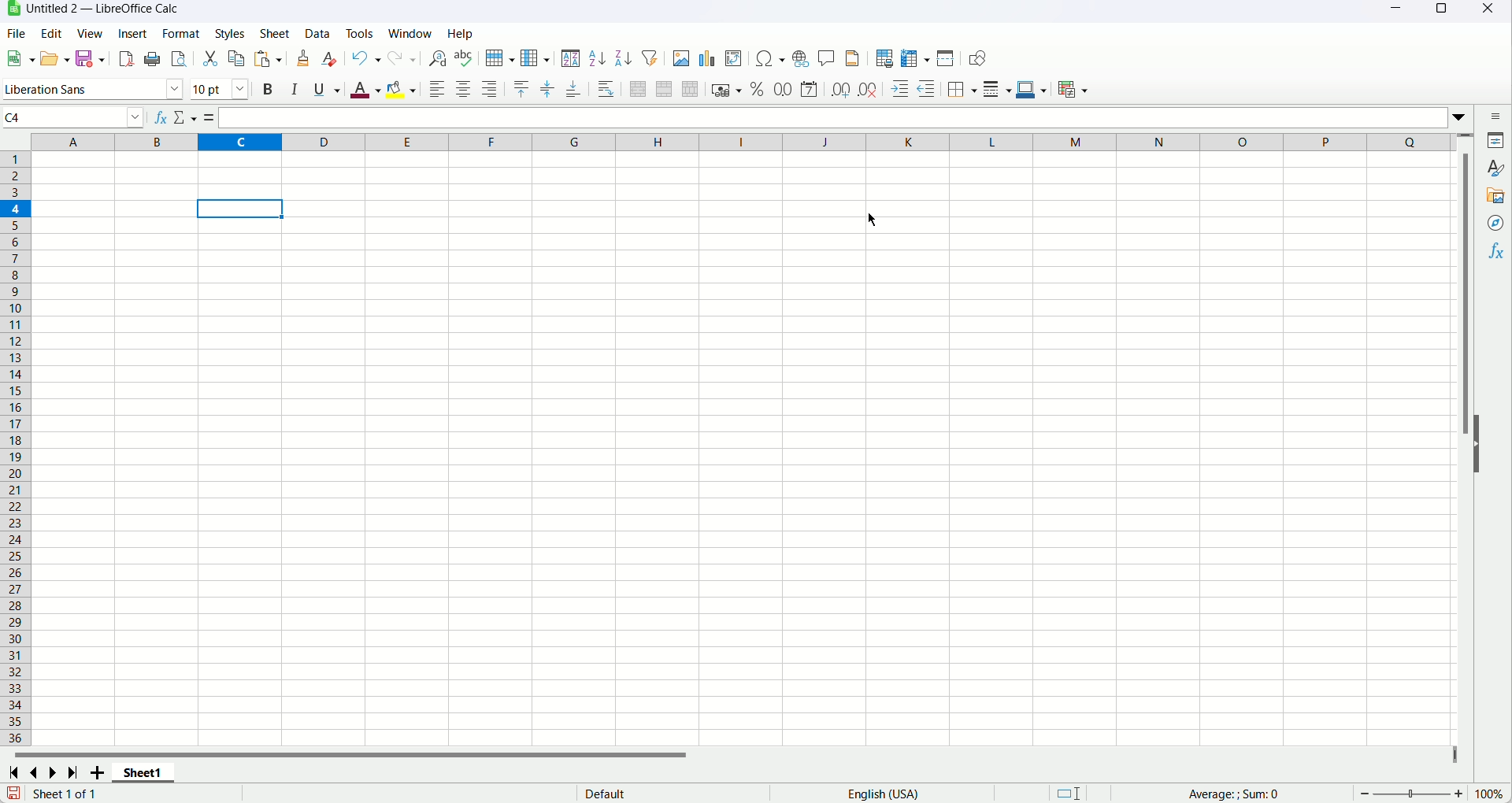 This screenshot has width=1512, height=803. Describe the element at coordinates (915, 58) in the screenshot. I see `Freeze rows and column` at that location.